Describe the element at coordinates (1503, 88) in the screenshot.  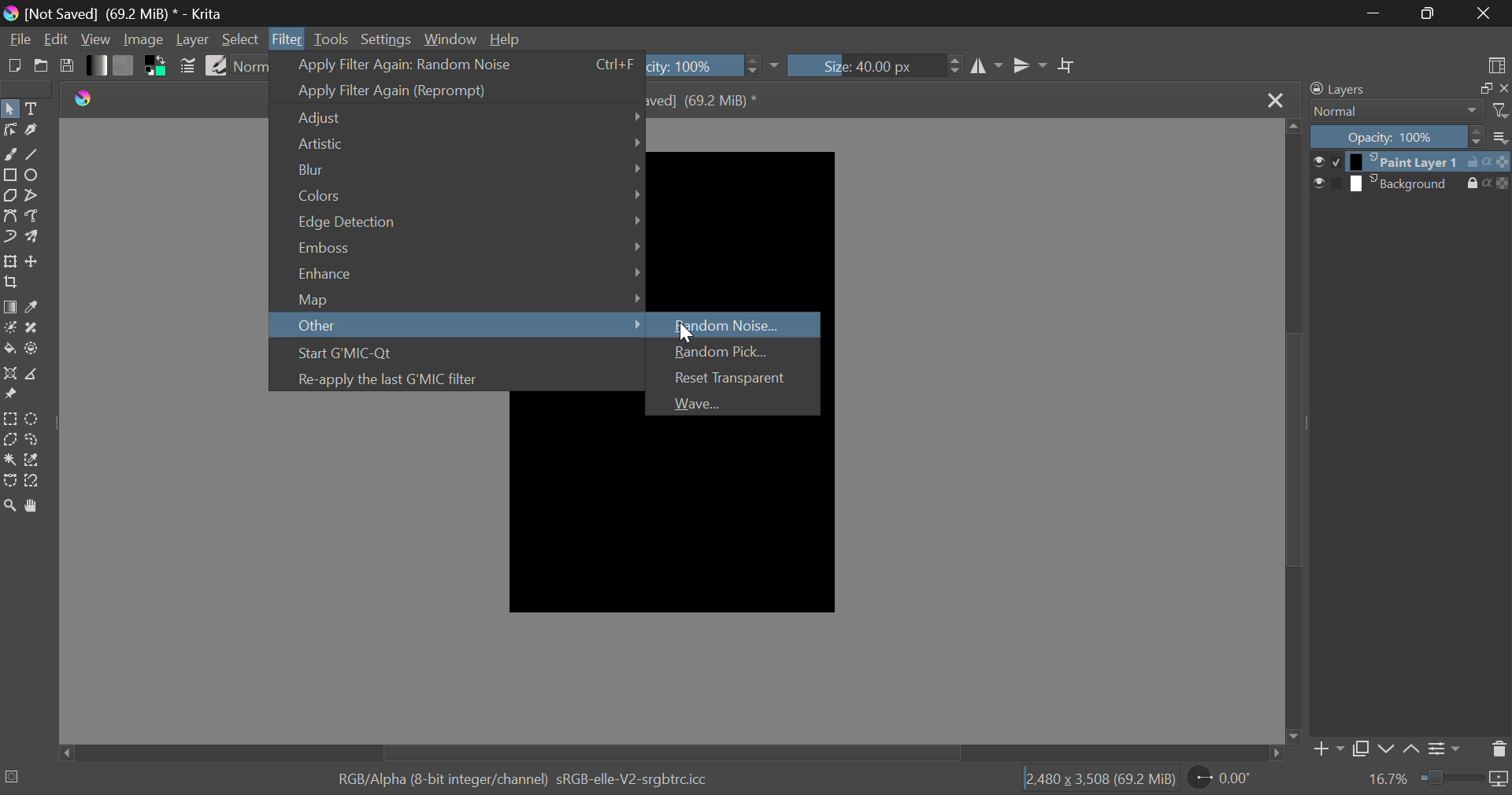
I see `close` at that location.